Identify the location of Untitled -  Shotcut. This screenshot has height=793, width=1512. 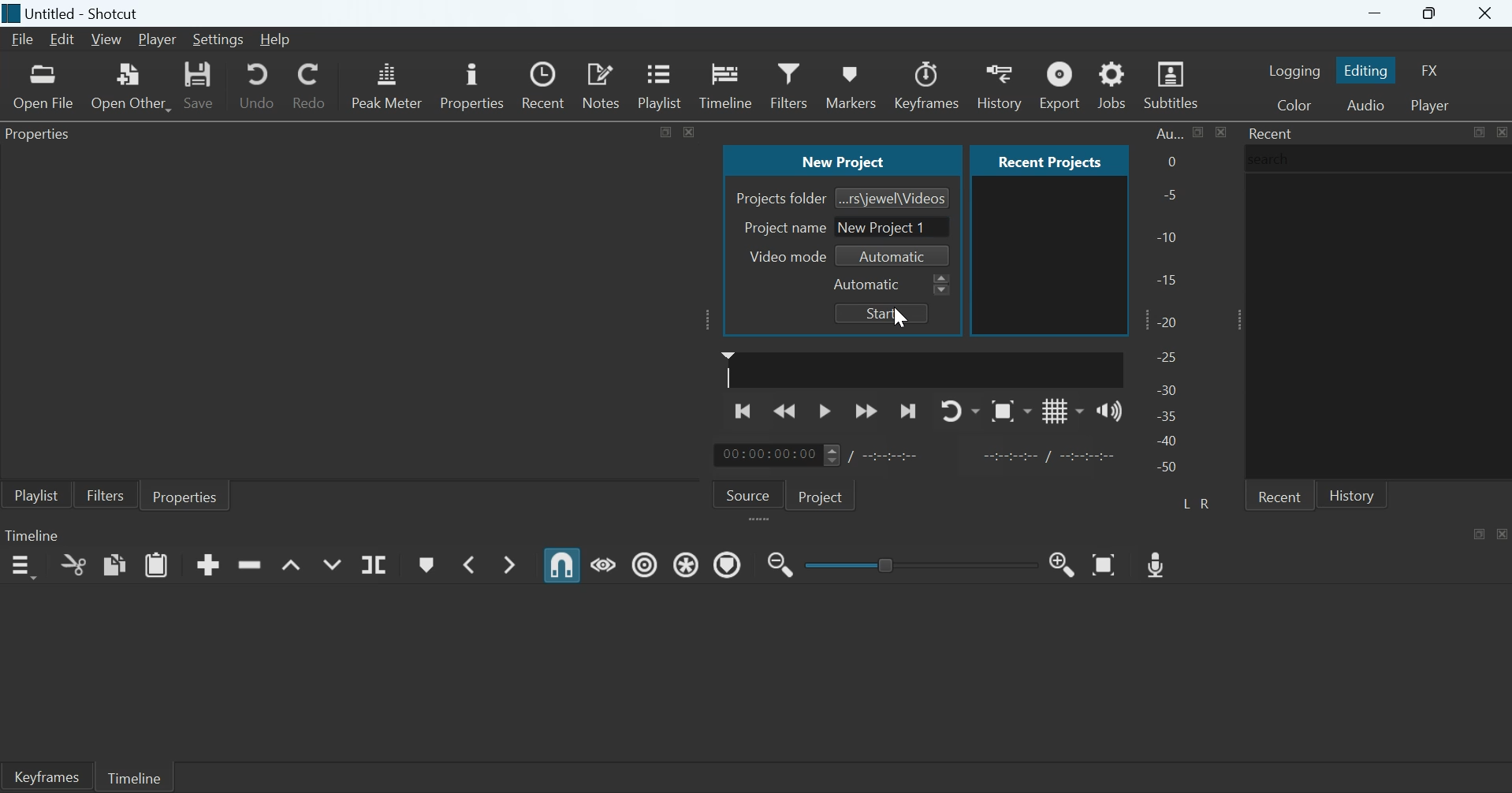
(86, 14).